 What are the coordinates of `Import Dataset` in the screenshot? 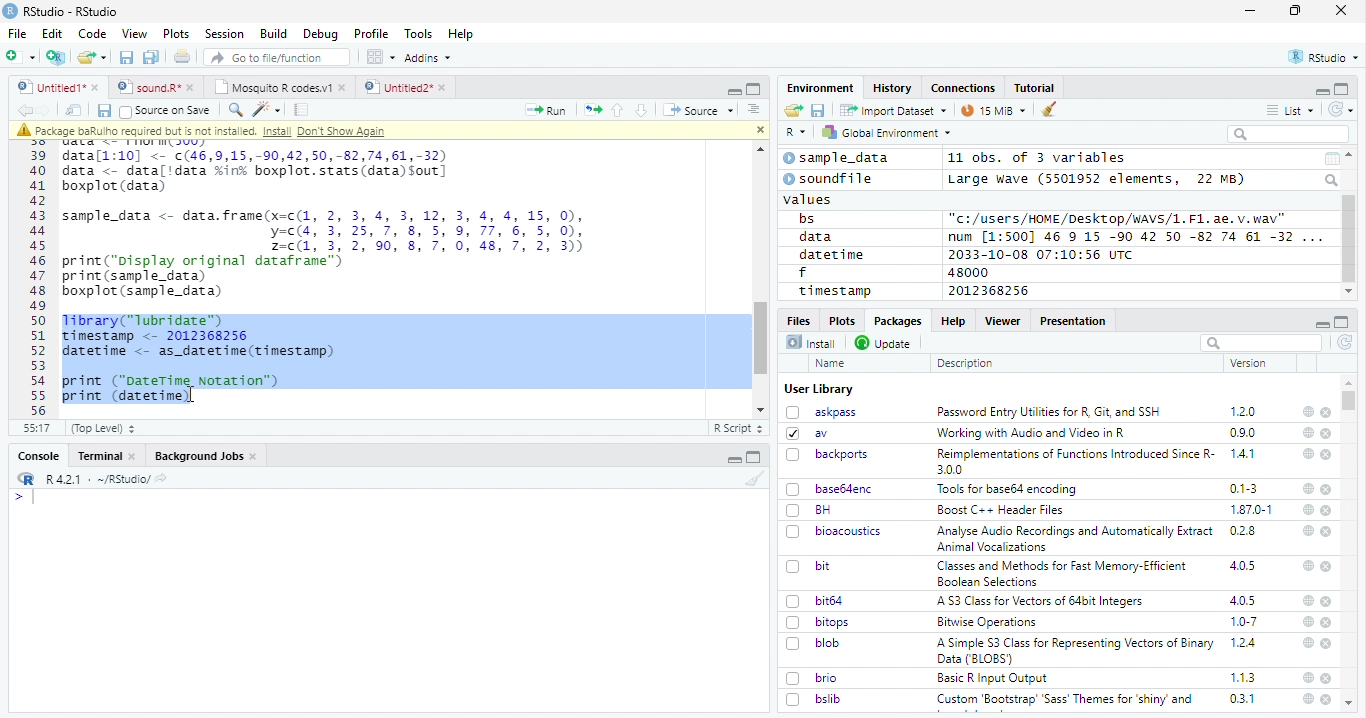 It's located at (893, 110).